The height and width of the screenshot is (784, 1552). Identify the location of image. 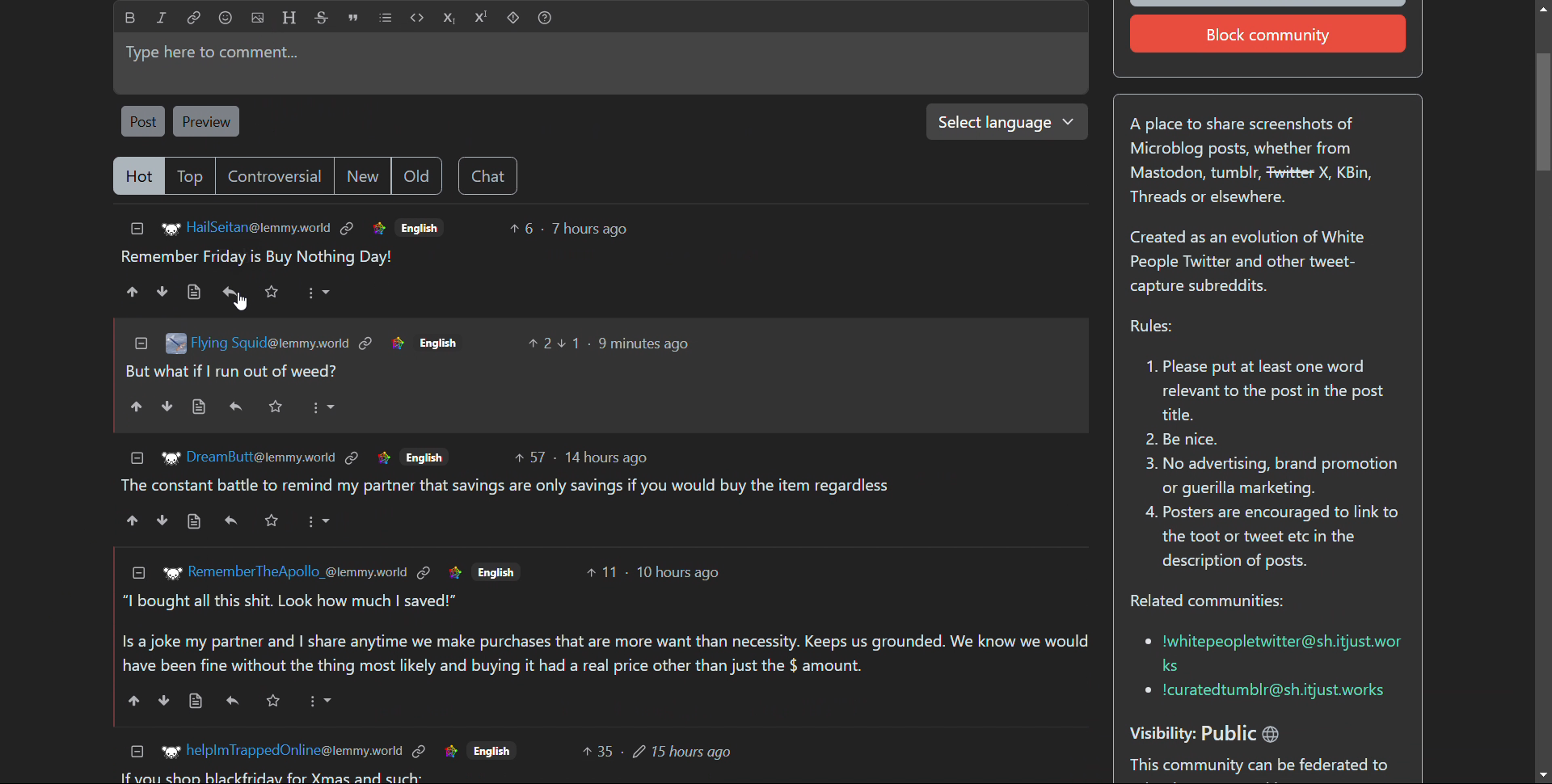
(171, 572).